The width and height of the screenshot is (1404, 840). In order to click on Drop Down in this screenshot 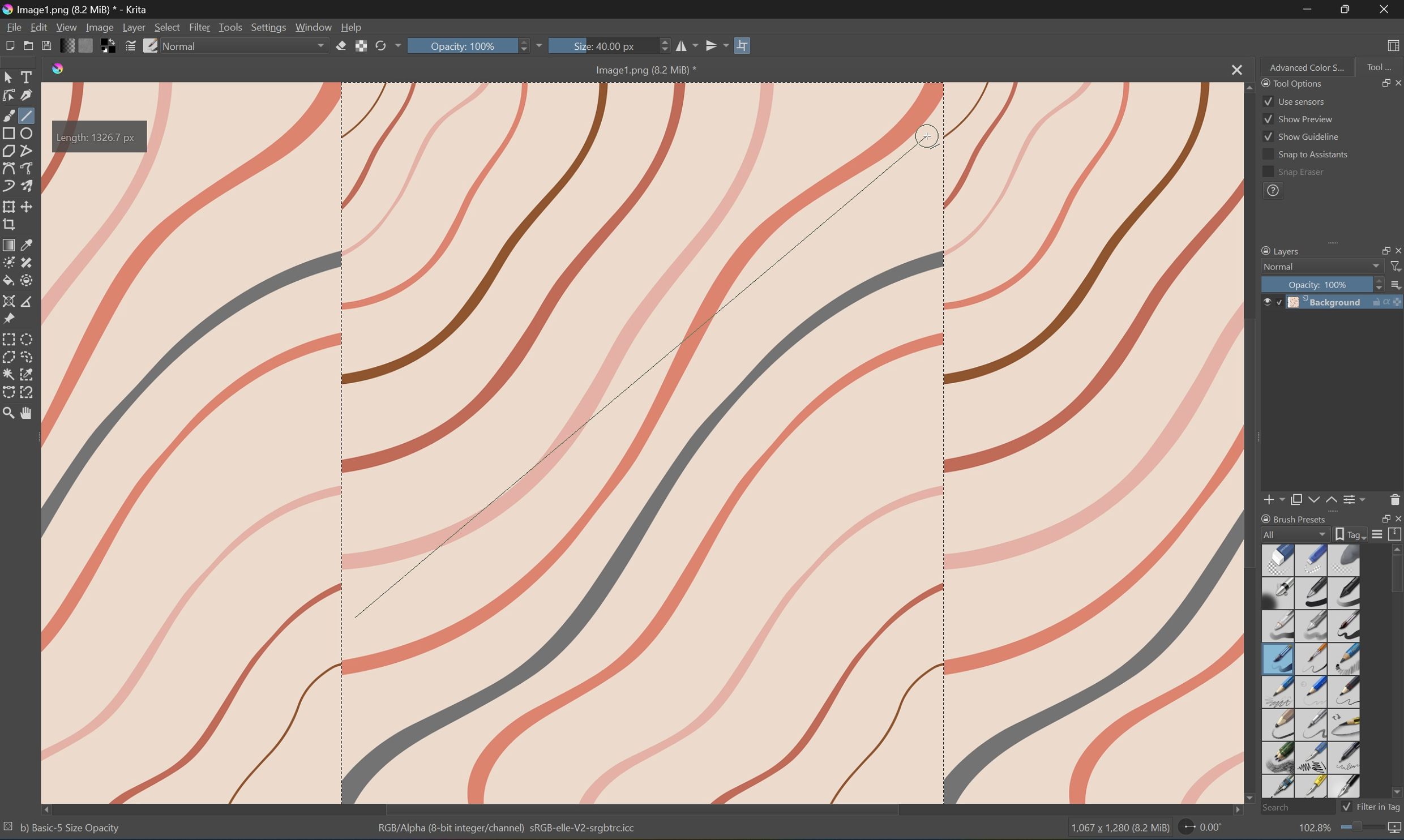, I will do `click(545, 44)`.